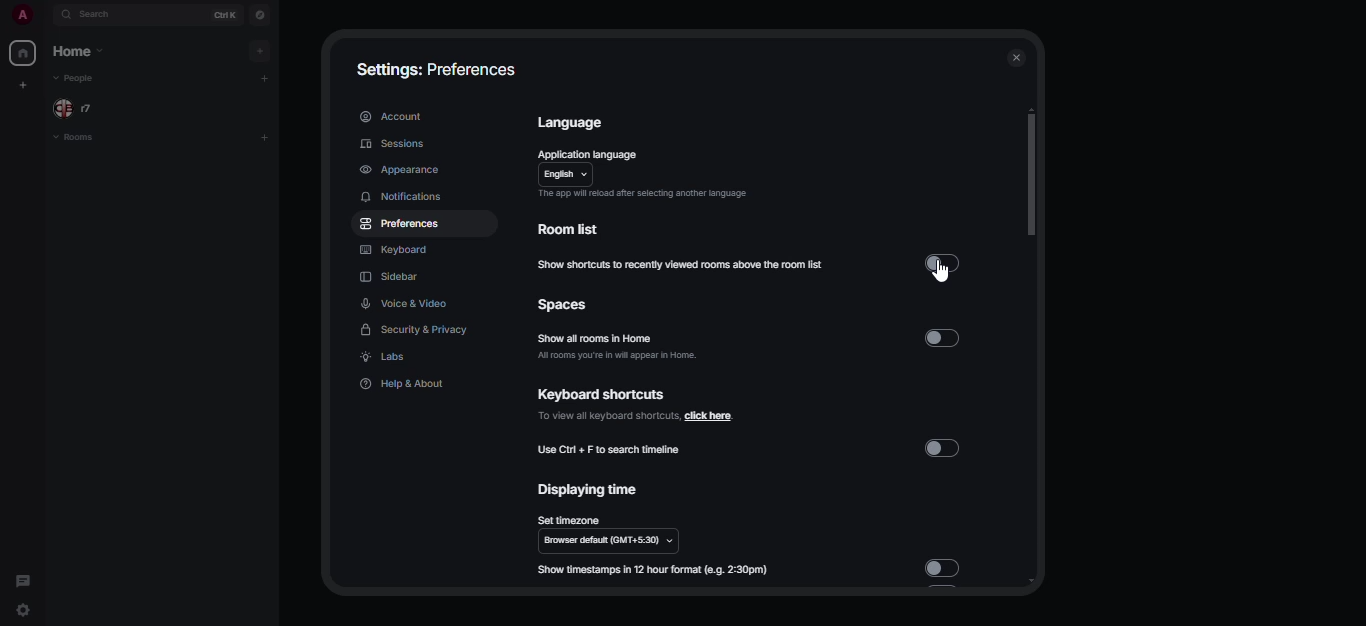  What do you see at coordinates (601, 394) in the screenshot?
I see `keyboard shortcuts` at bounding box center [601, 394].